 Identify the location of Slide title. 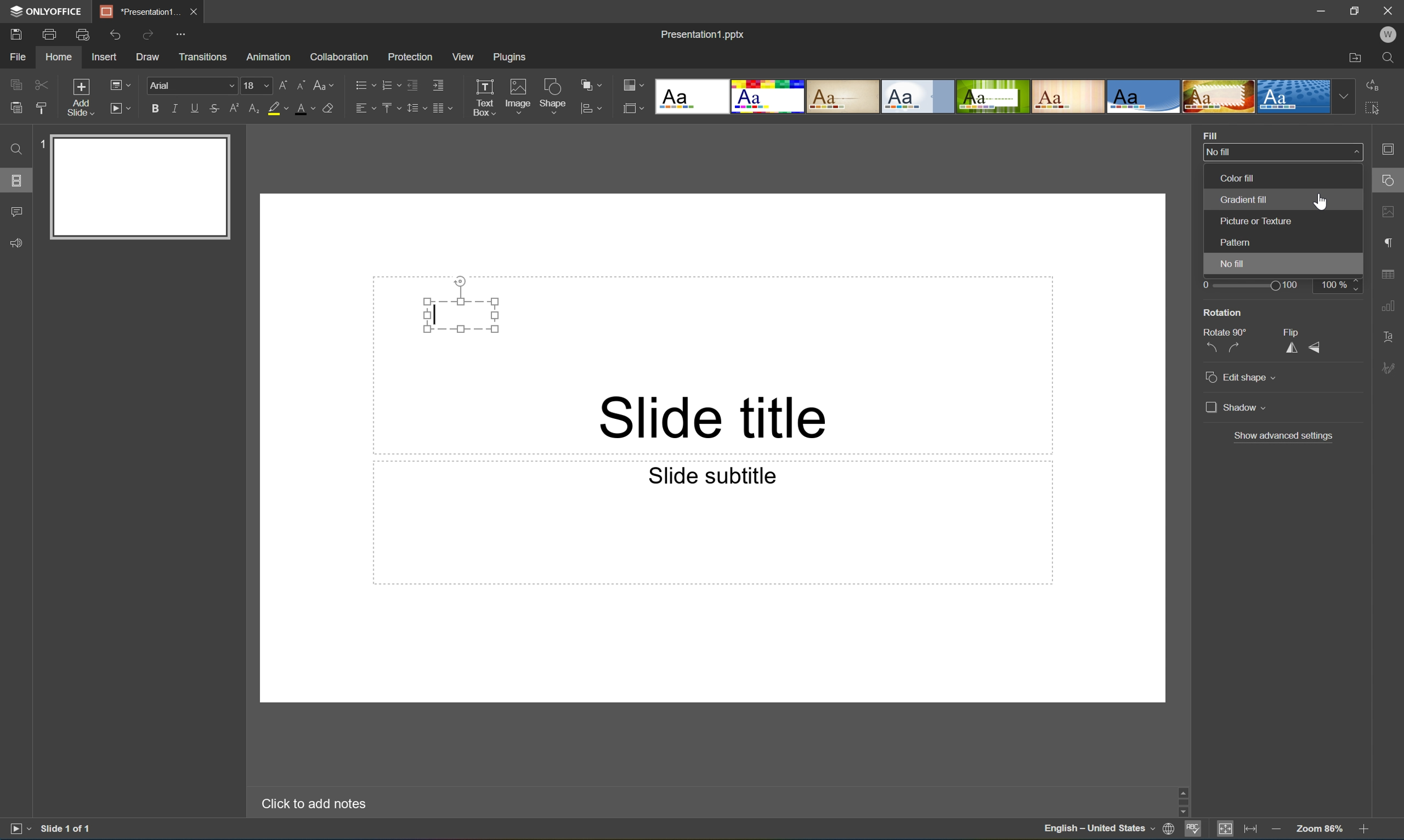
(717, 416).